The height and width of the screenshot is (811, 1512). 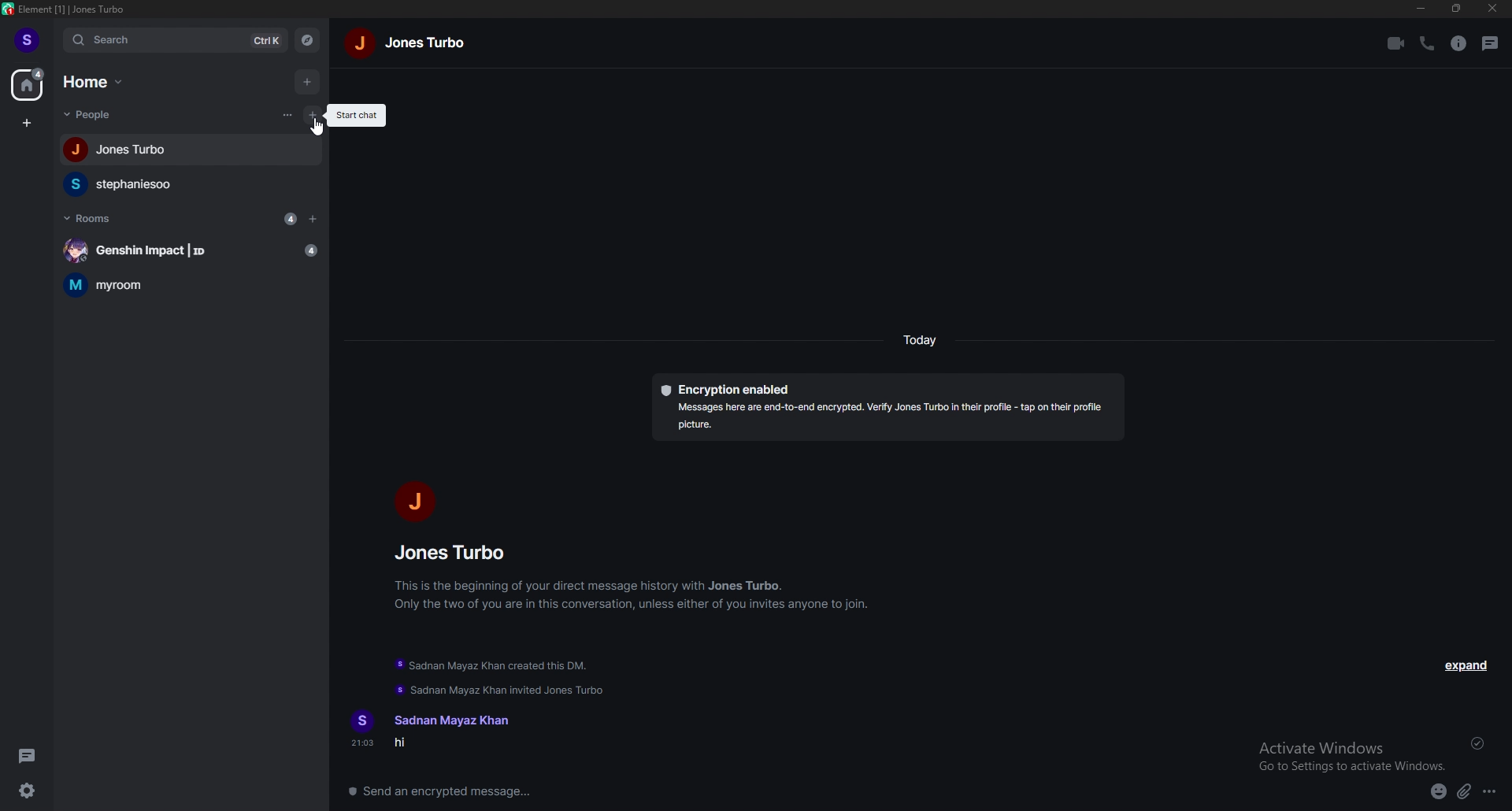 What do you see at coordinates (362, 717) in the screenshot?
I see `s` at bounding box center [362, 717].